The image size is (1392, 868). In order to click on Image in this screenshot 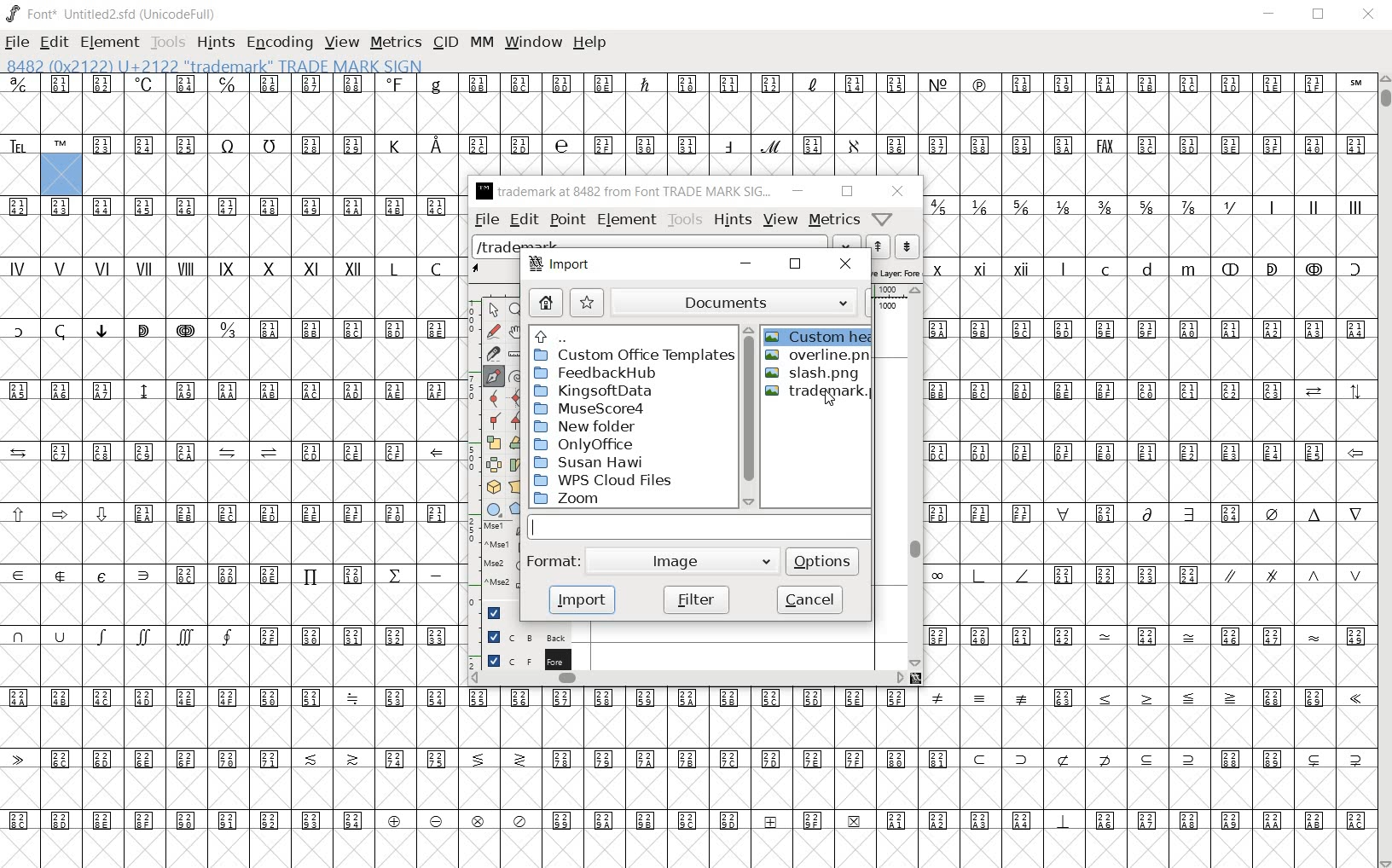, I will do `click(684, 561)`.